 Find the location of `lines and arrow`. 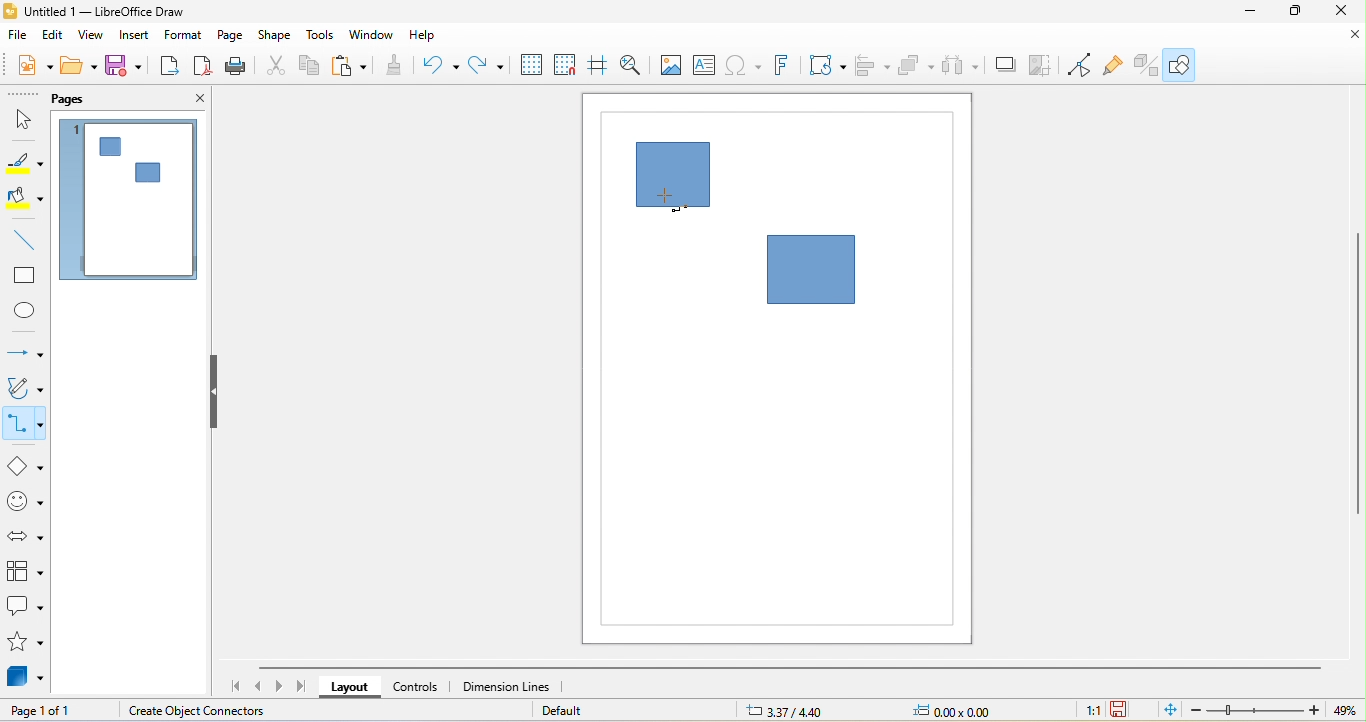

lines and arrow is located at coordinates (24, 352).